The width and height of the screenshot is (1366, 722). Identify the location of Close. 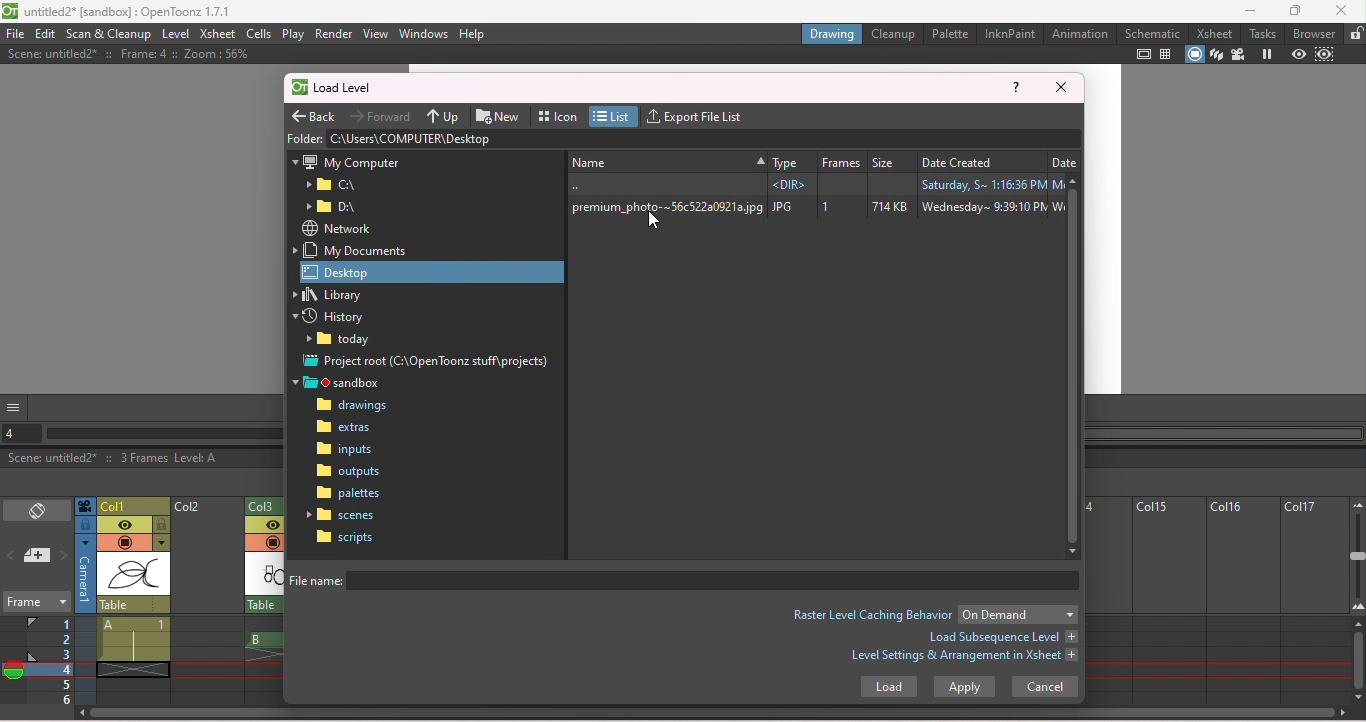
(1061, 88).